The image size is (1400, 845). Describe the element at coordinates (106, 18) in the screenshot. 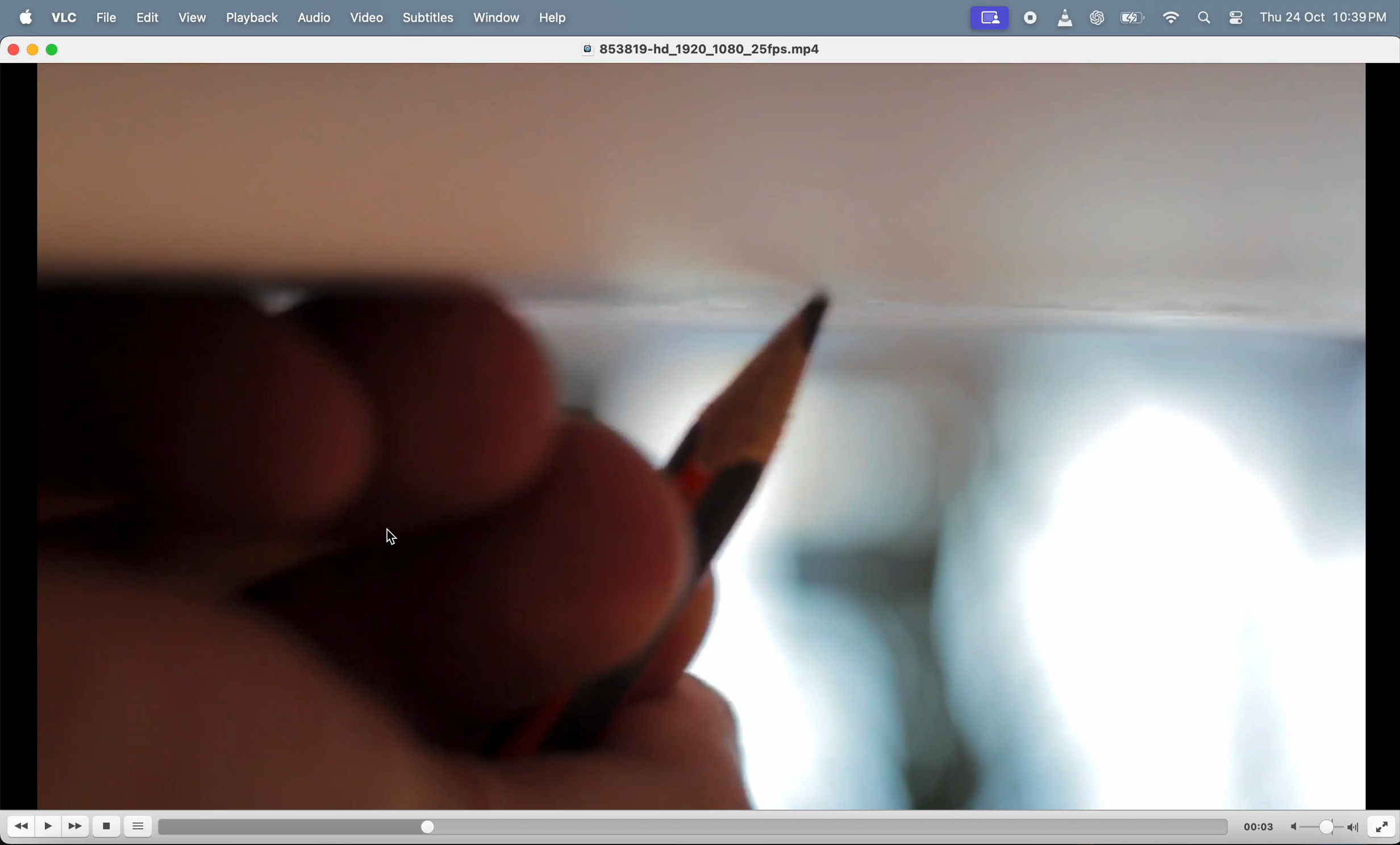

I see `file` at that location.